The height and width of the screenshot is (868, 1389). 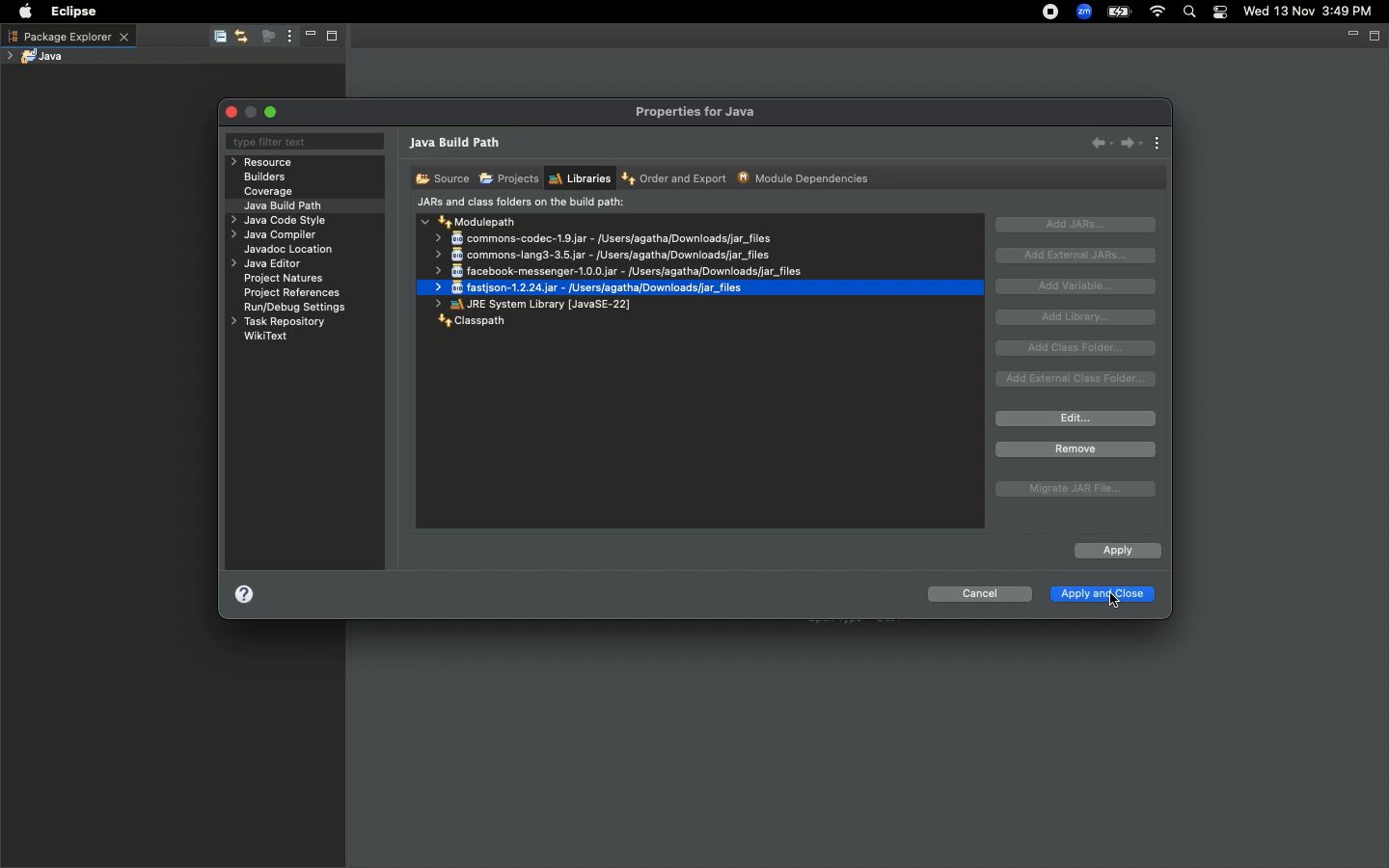 I want to click on Remove, so click(x=1076, y=449).